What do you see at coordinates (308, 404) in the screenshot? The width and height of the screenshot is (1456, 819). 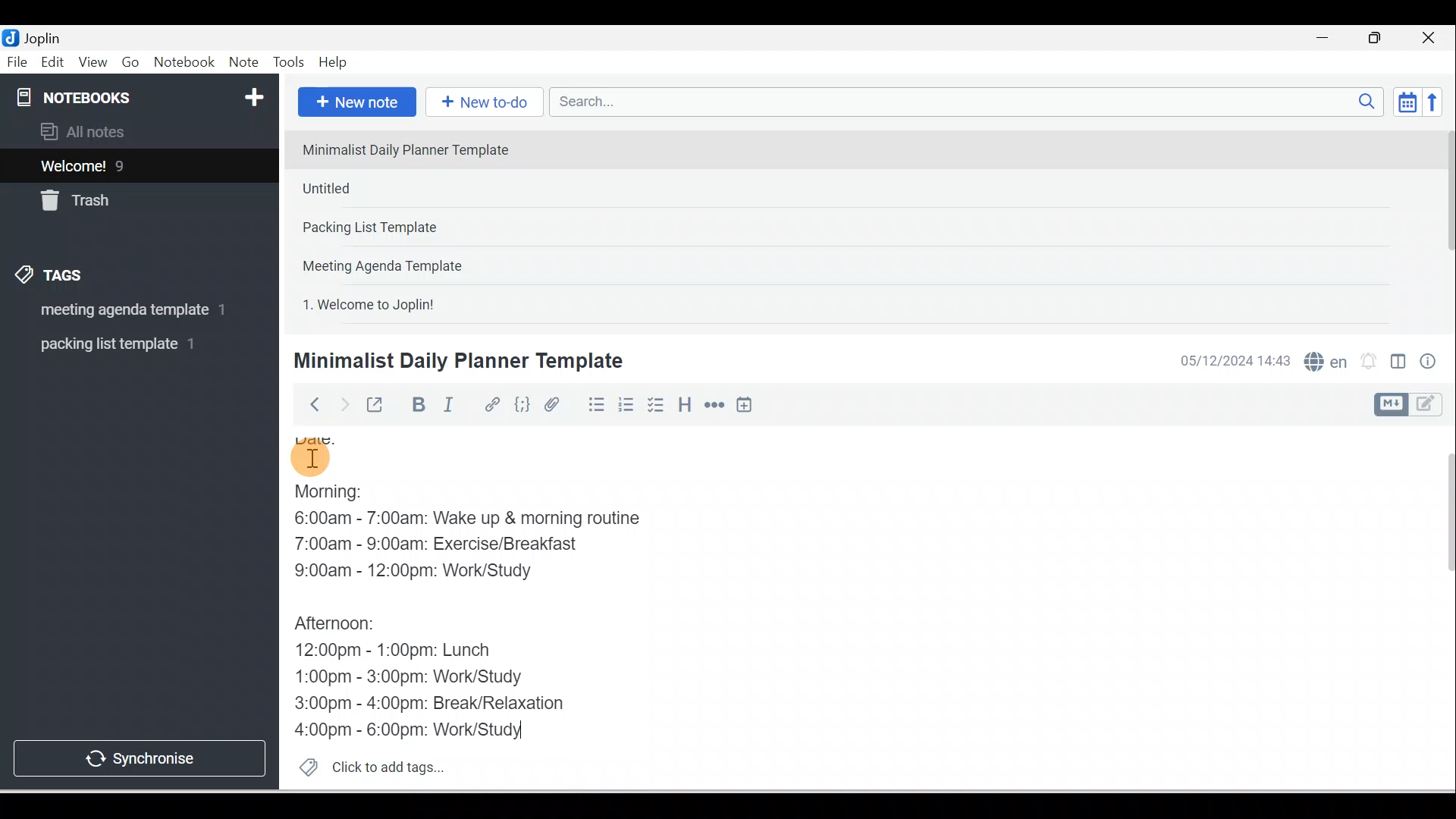 I see `Back` at bounding box center [308, 404].